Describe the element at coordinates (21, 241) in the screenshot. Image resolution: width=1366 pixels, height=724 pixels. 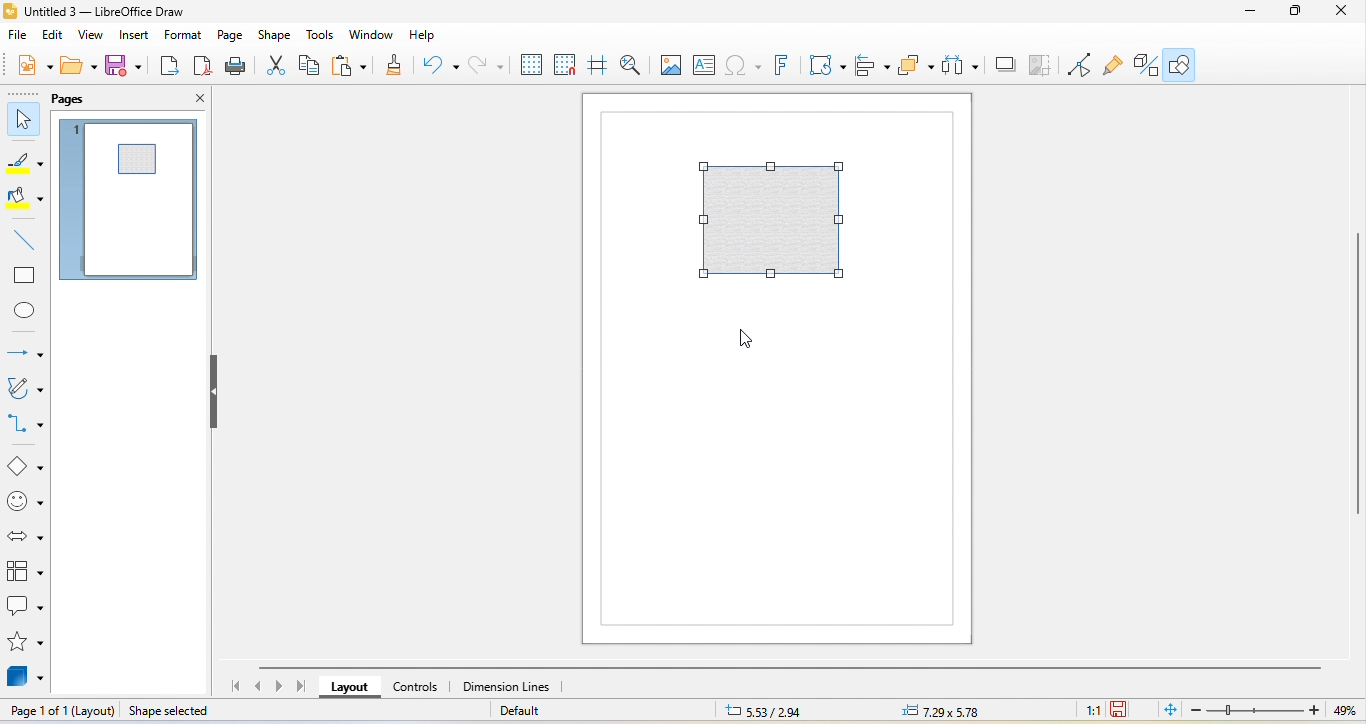
I see `line` at that location.